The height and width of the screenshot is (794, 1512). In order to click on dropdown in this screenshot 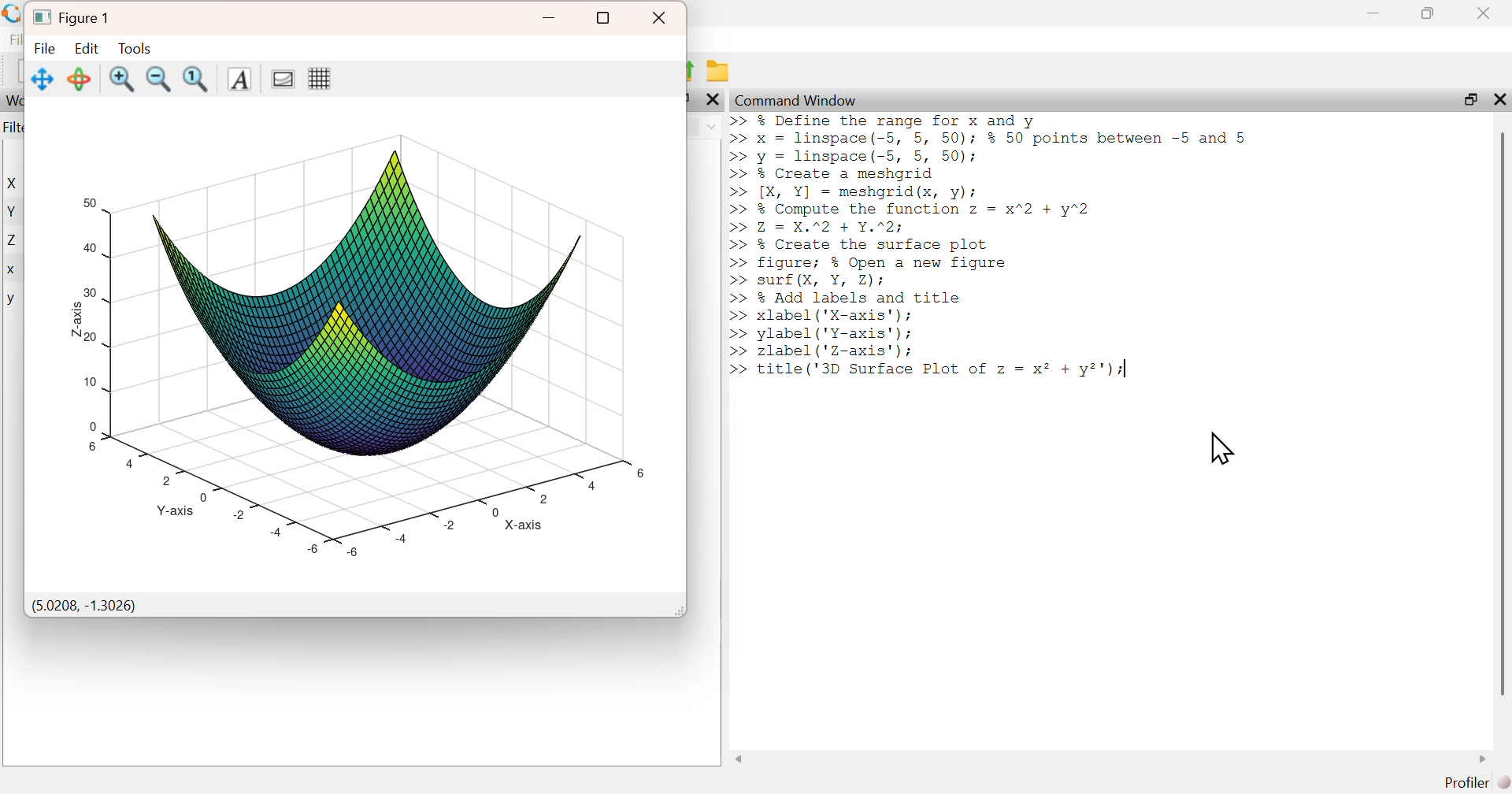, I will do `click(711, 127)`.